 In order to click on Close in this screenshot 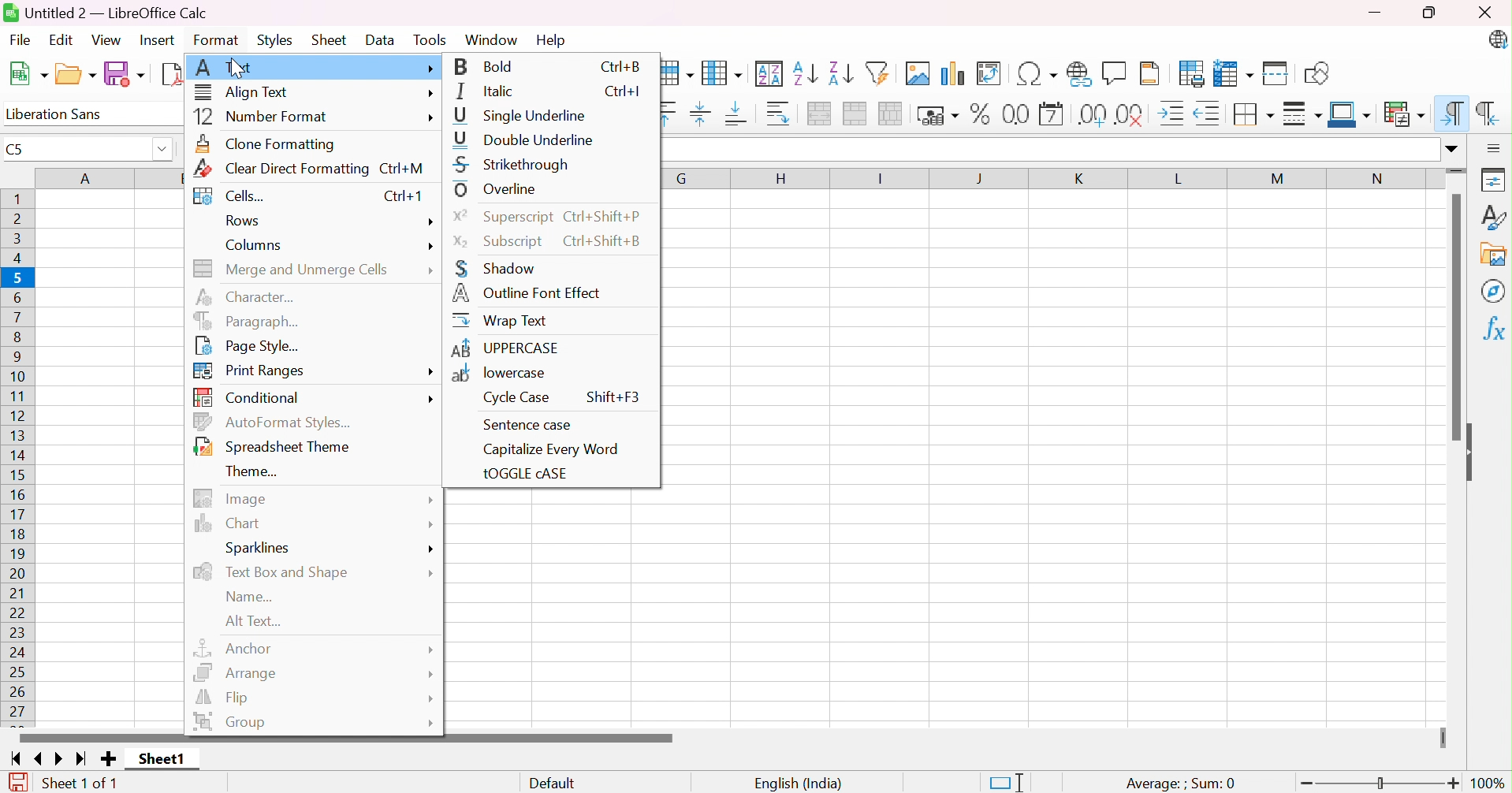, I will do `click(1488, 10)`.